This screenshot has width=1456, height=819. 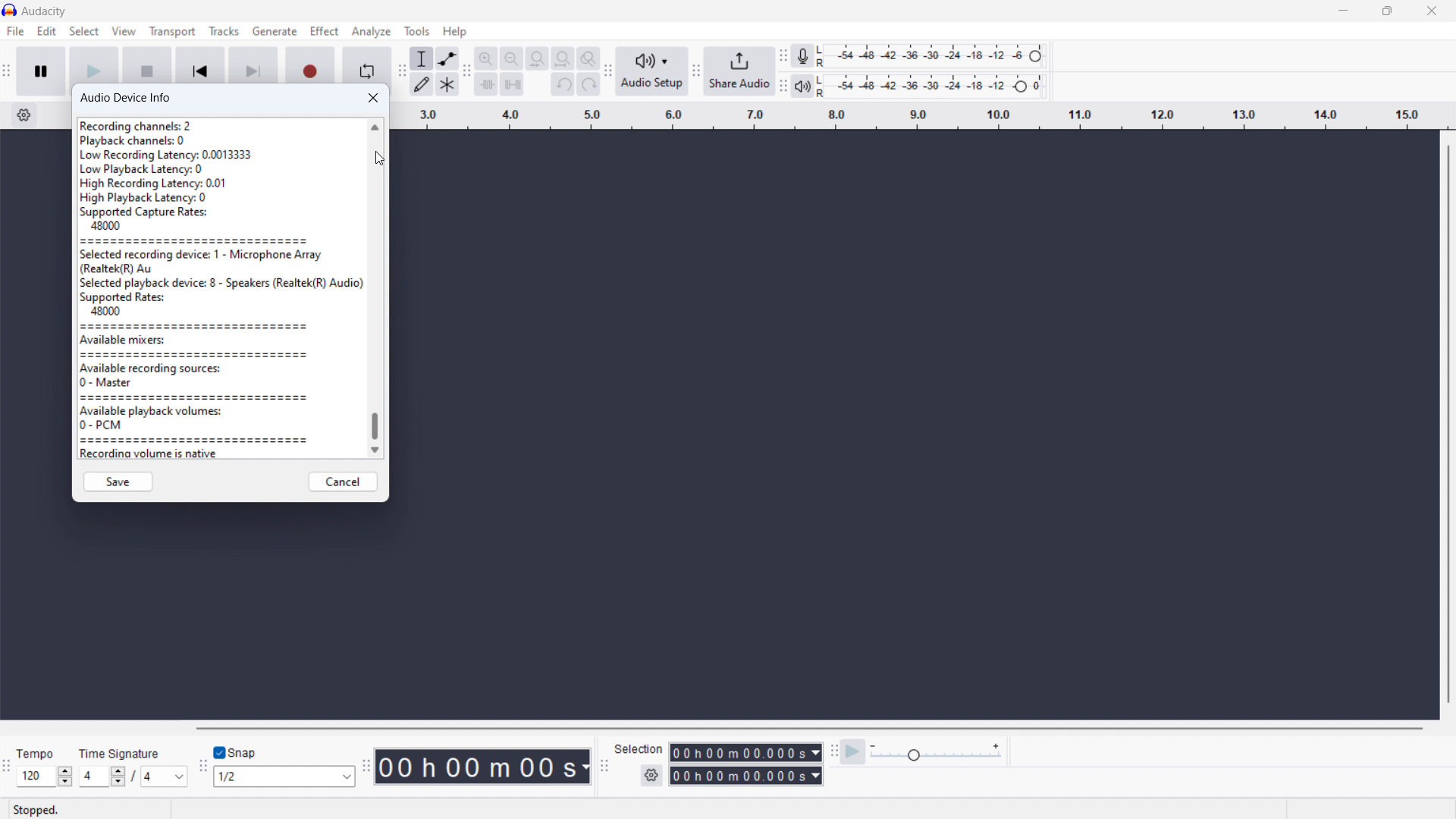 I want to click on title, so click(x=45, y=11).